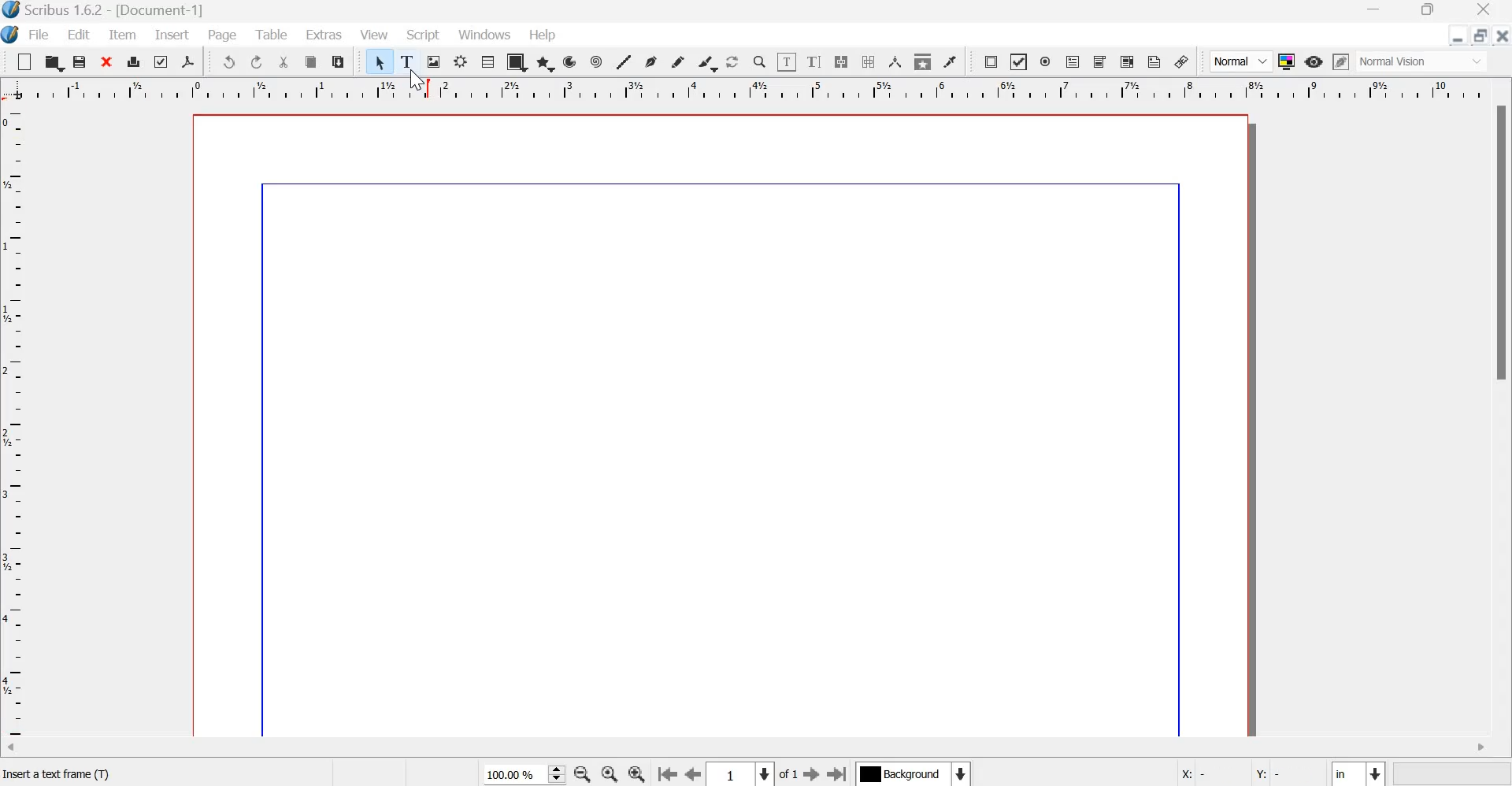 This screenshot has width=1512, height=786. I want to click on , so click(639, 775).